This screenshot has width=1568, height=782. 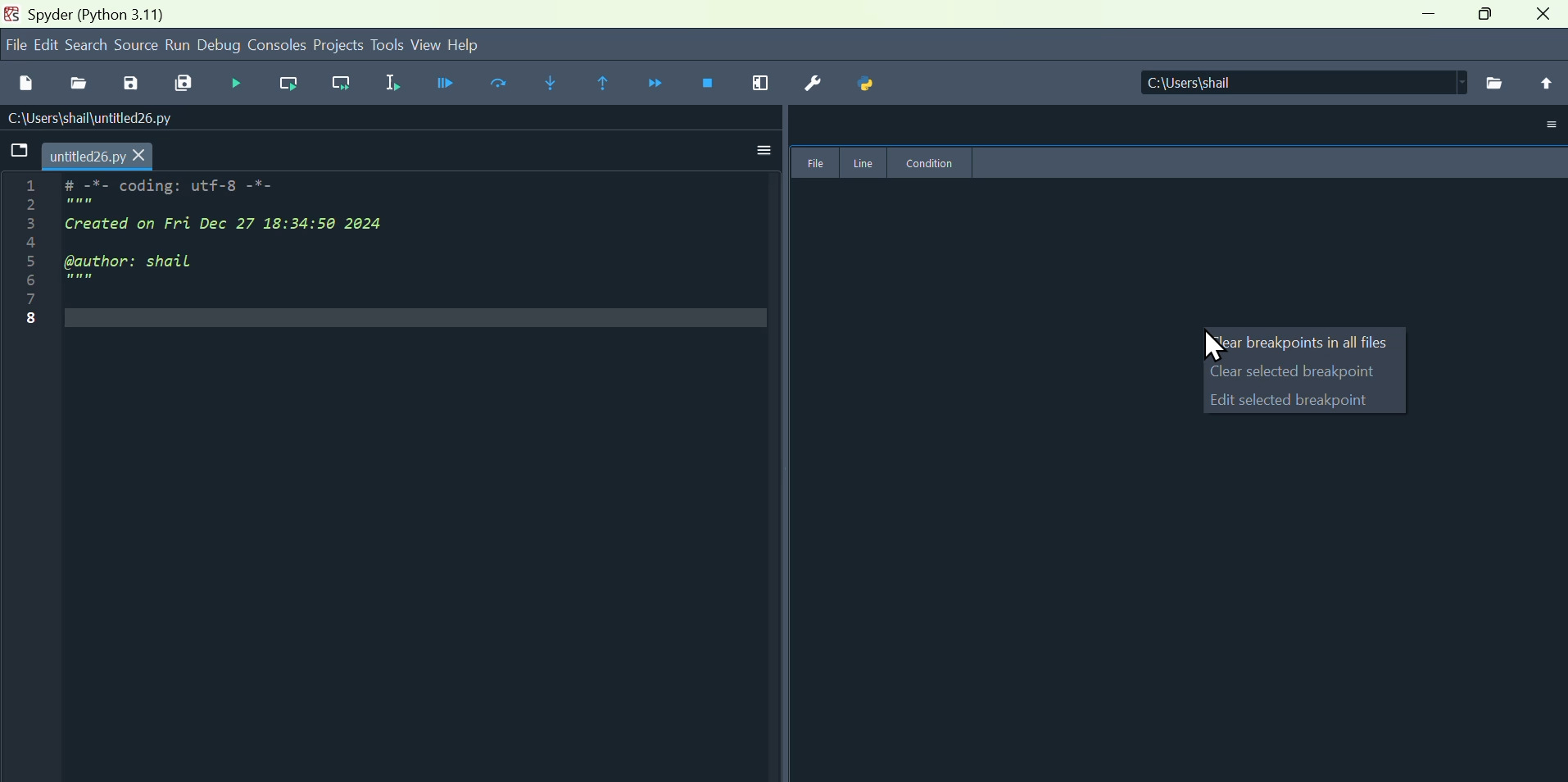 What do you see at coordinates (717, 84) in the screenshot?
I see `Stop debugging` at bounding box center [717, 84].